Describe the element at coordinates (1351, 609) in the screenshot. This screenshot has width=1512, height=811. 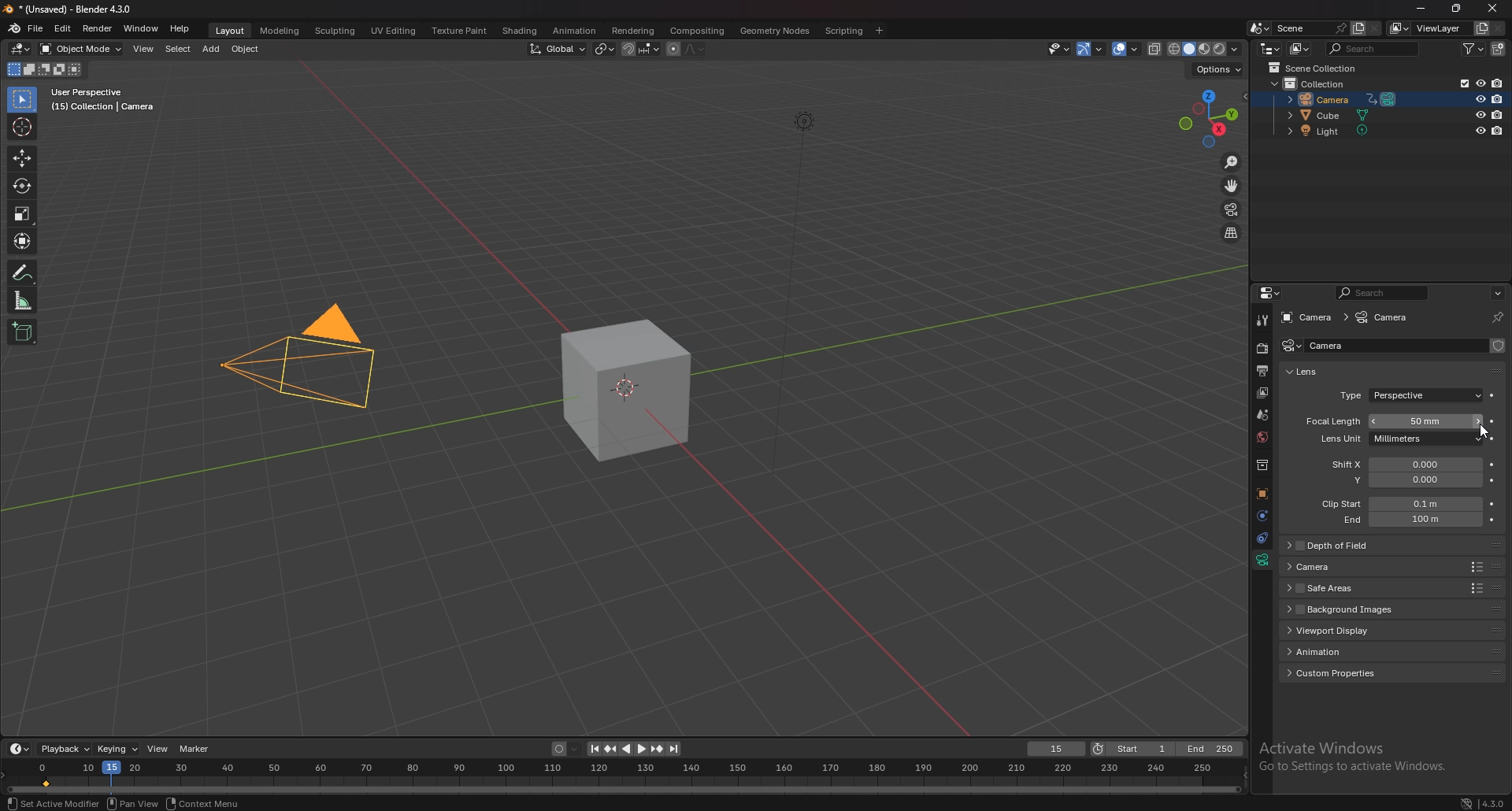
I see `background images` at that location.